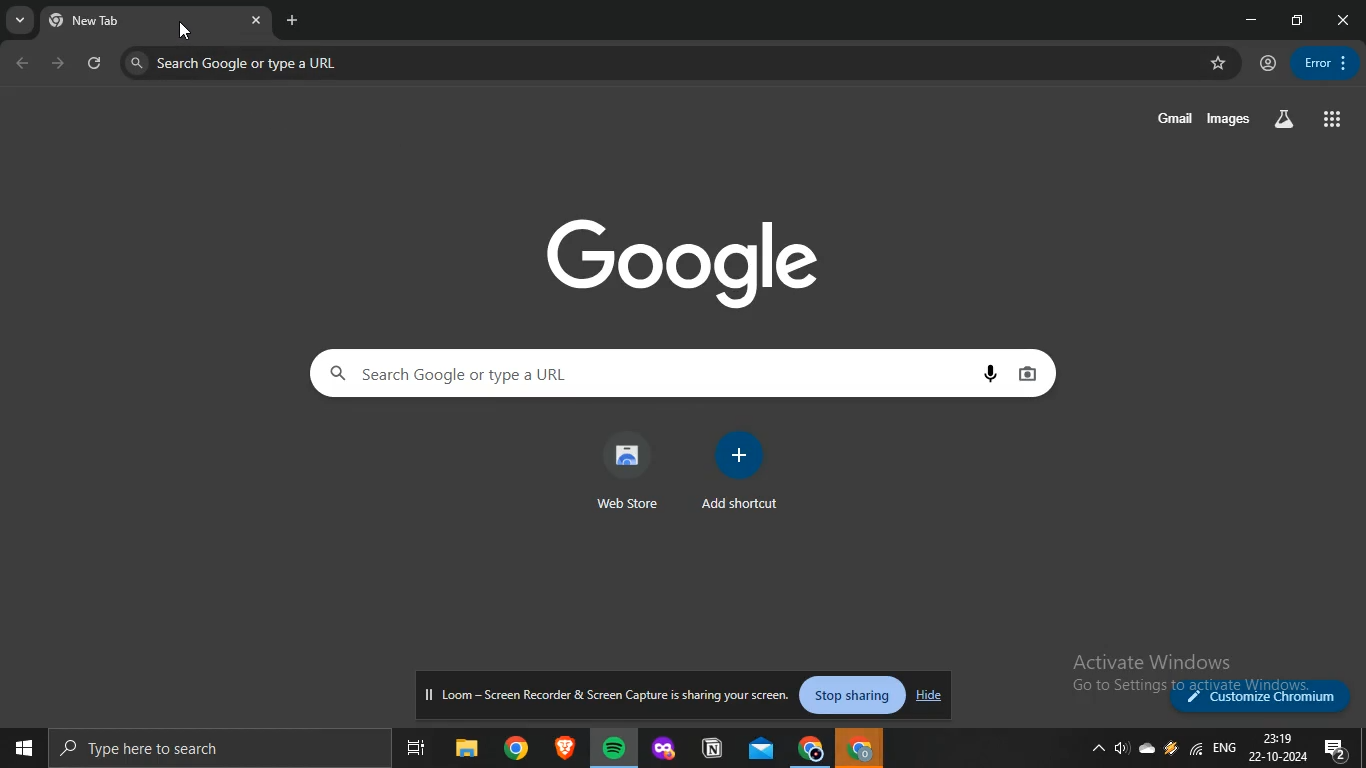 This screenshot has height=768, width=1366. What do you see at coordinates (516, 746) in the screenshot?
I see `google chrome` at bounding box center [516, 746].